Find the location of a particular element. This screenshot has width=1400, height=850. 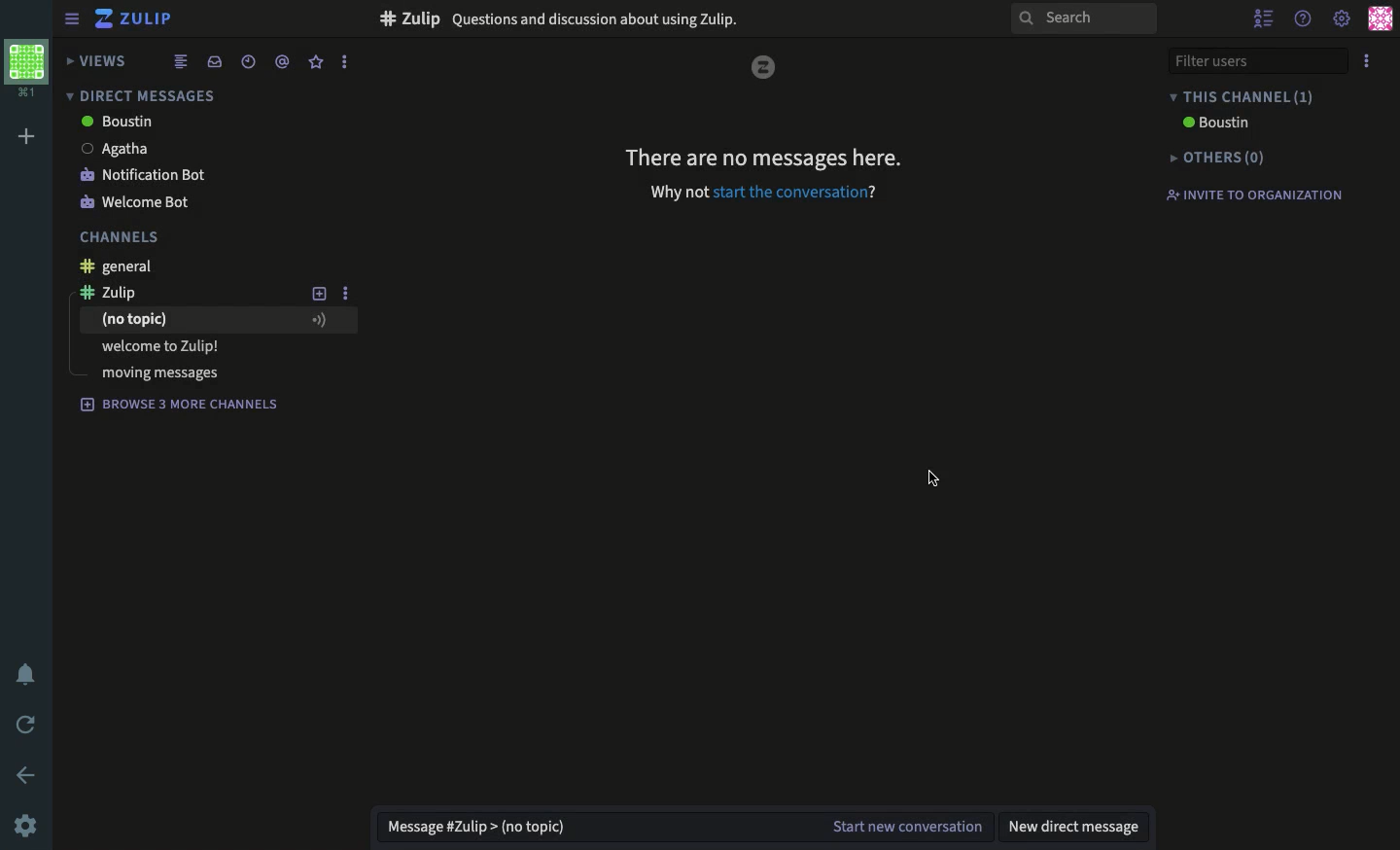

notification is located at coordinates (25, 672).